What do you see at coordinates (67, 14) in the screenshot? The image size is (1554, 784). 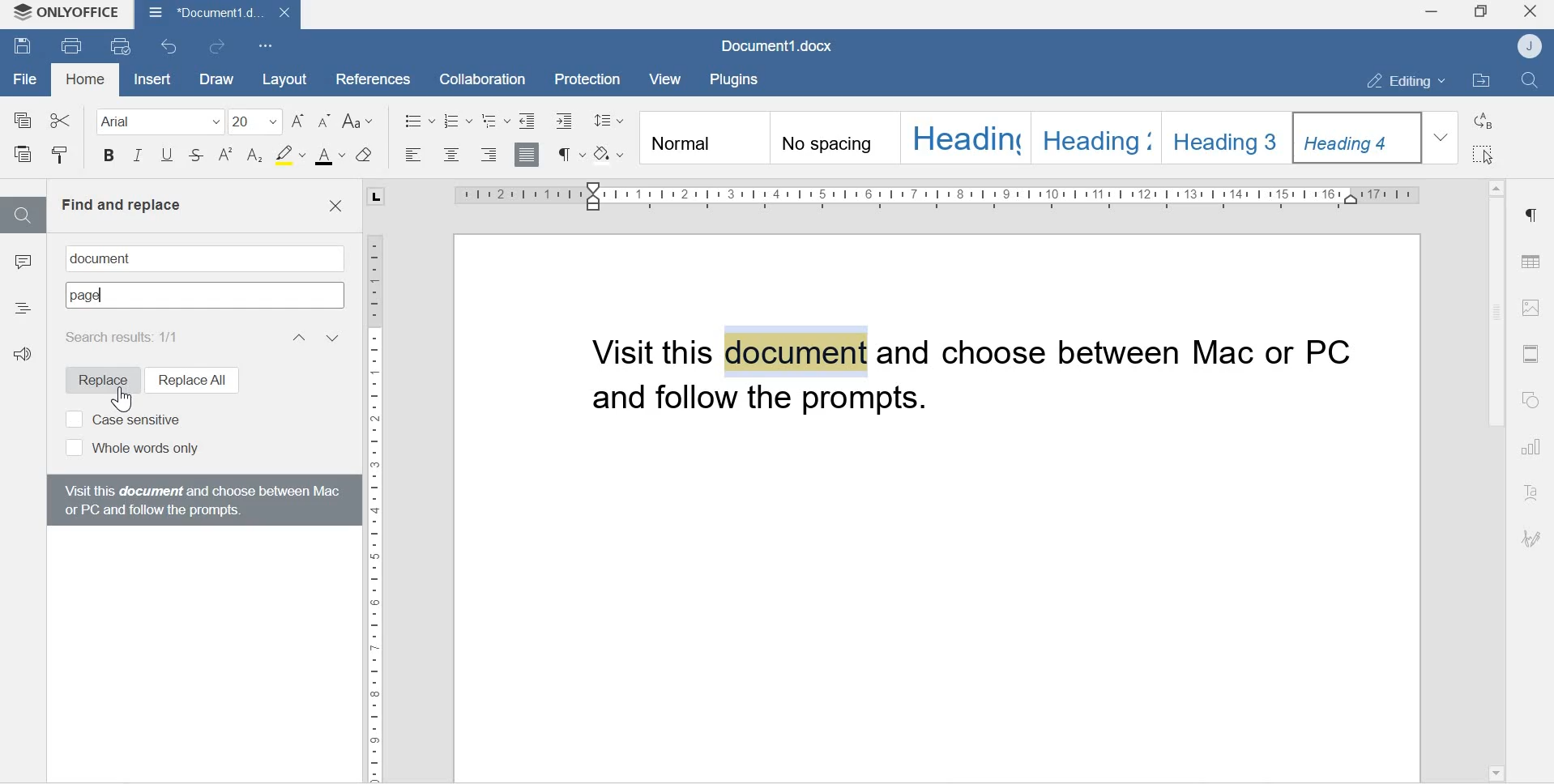 I see `Onlyoffice` at bounding box center [67, 14].